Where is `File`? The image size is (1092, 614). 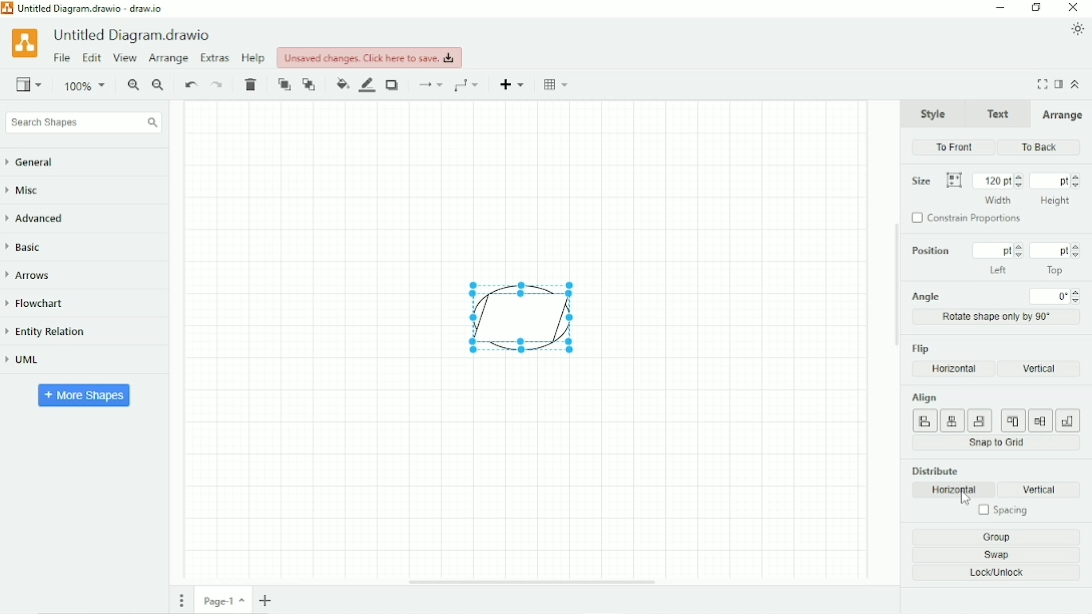
File is located at coordinates (62, 58).